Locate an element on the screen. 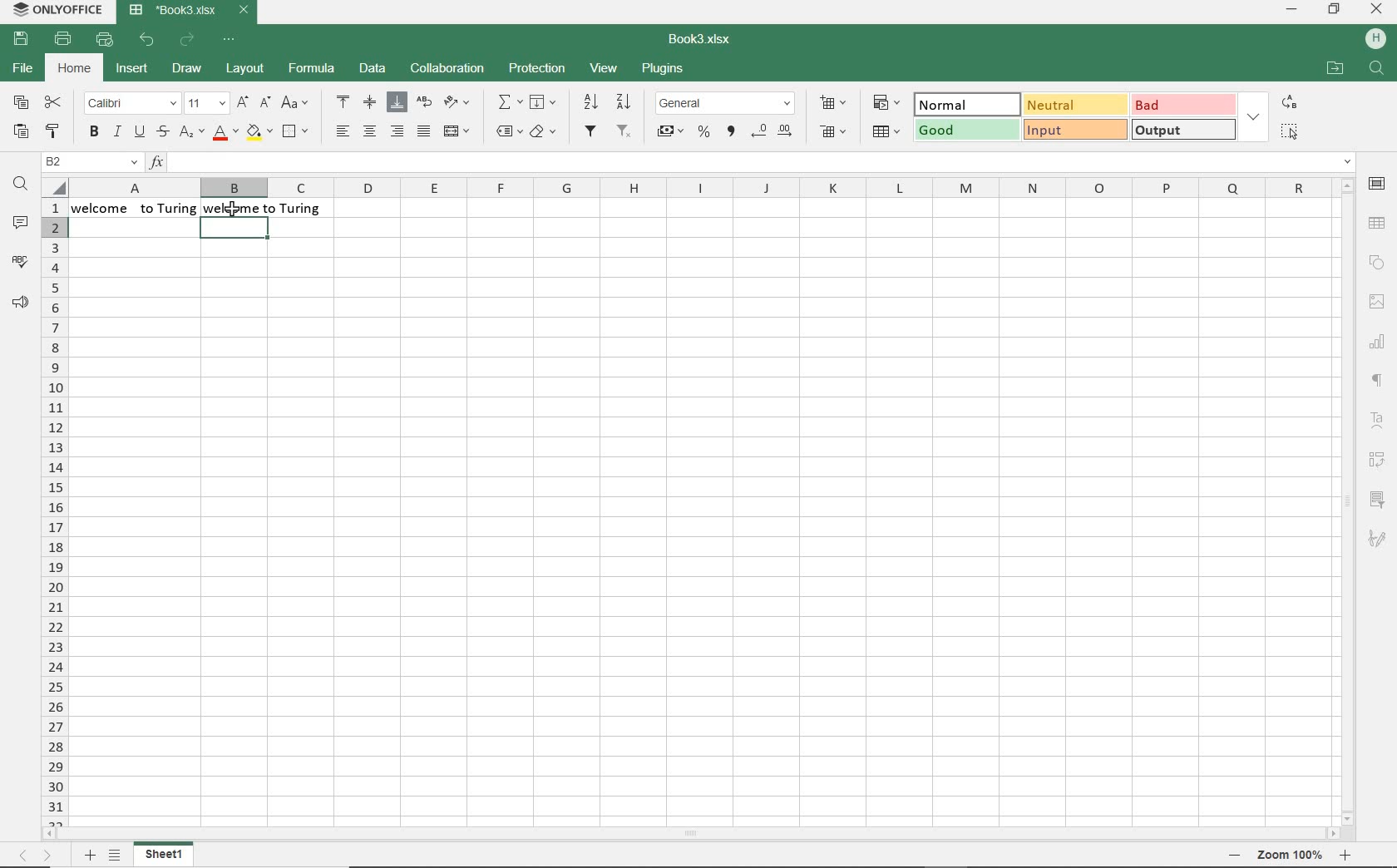 This screenshot has width=1397, height=868. chart is located at coordinates (1379, 343).